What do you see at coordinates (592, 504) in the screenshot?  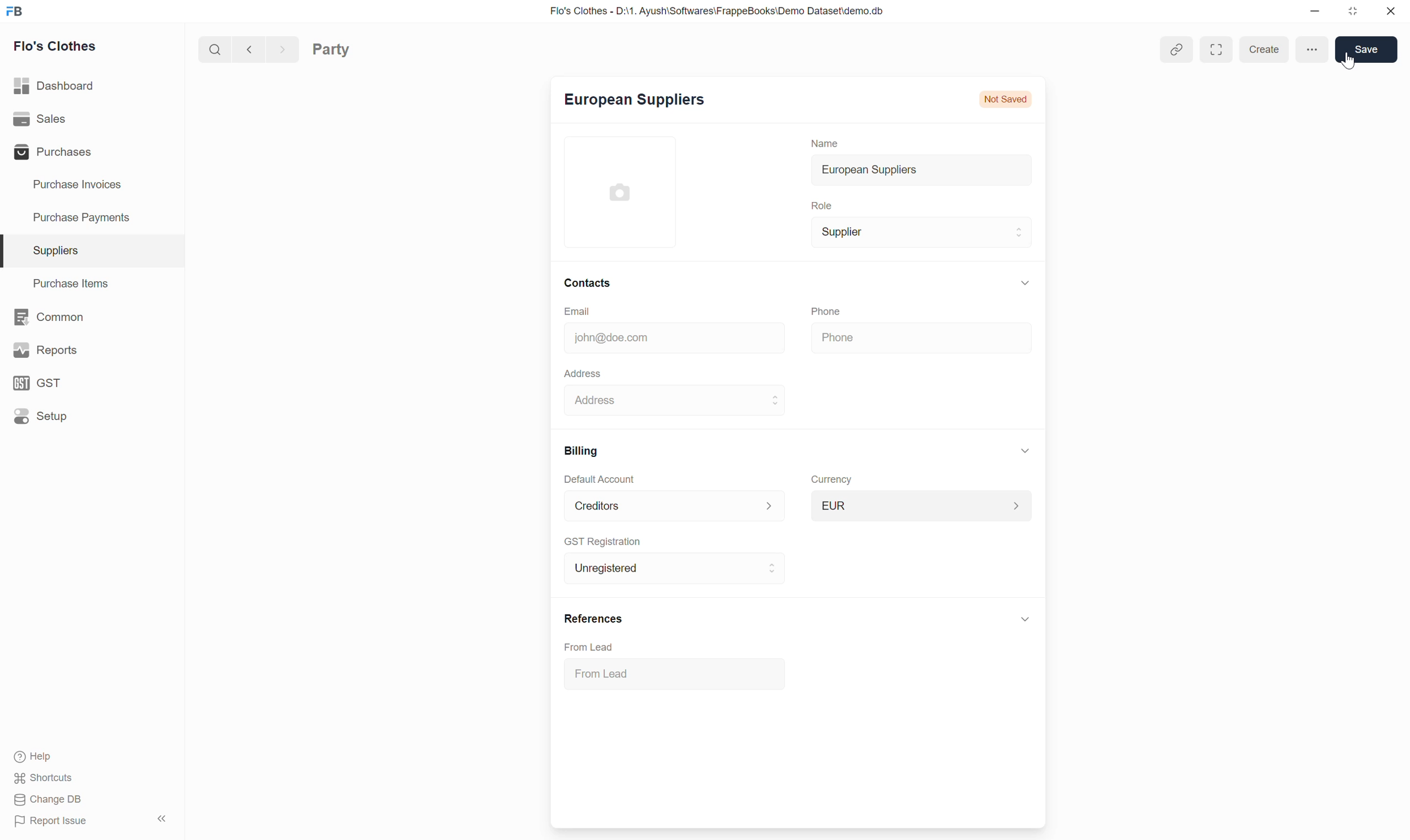 I see `Creditors` at bounding box center [592, 504].